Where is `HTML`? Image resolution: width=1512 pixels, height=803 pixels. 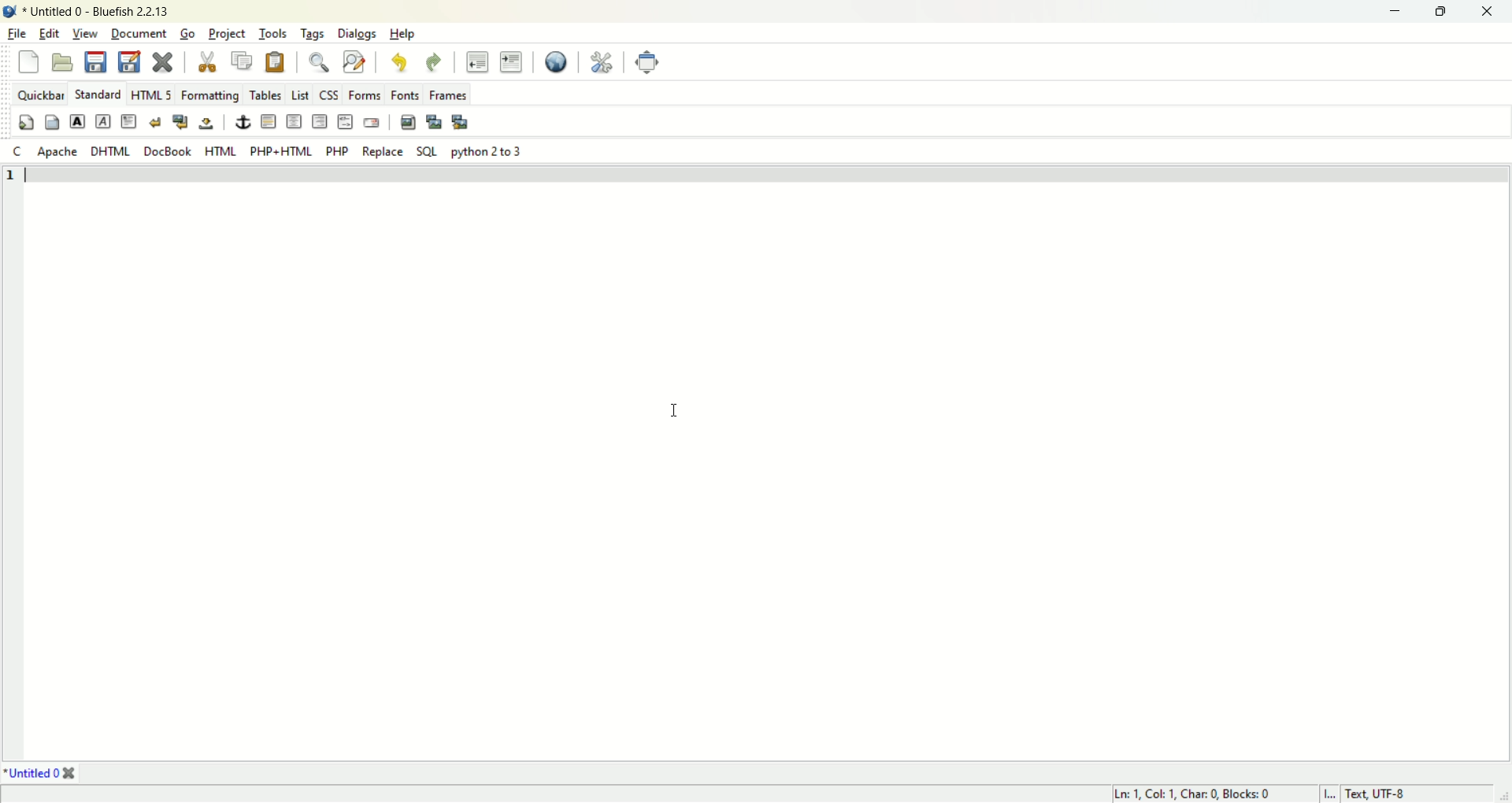
HTML is located at coordinates (220, 151).